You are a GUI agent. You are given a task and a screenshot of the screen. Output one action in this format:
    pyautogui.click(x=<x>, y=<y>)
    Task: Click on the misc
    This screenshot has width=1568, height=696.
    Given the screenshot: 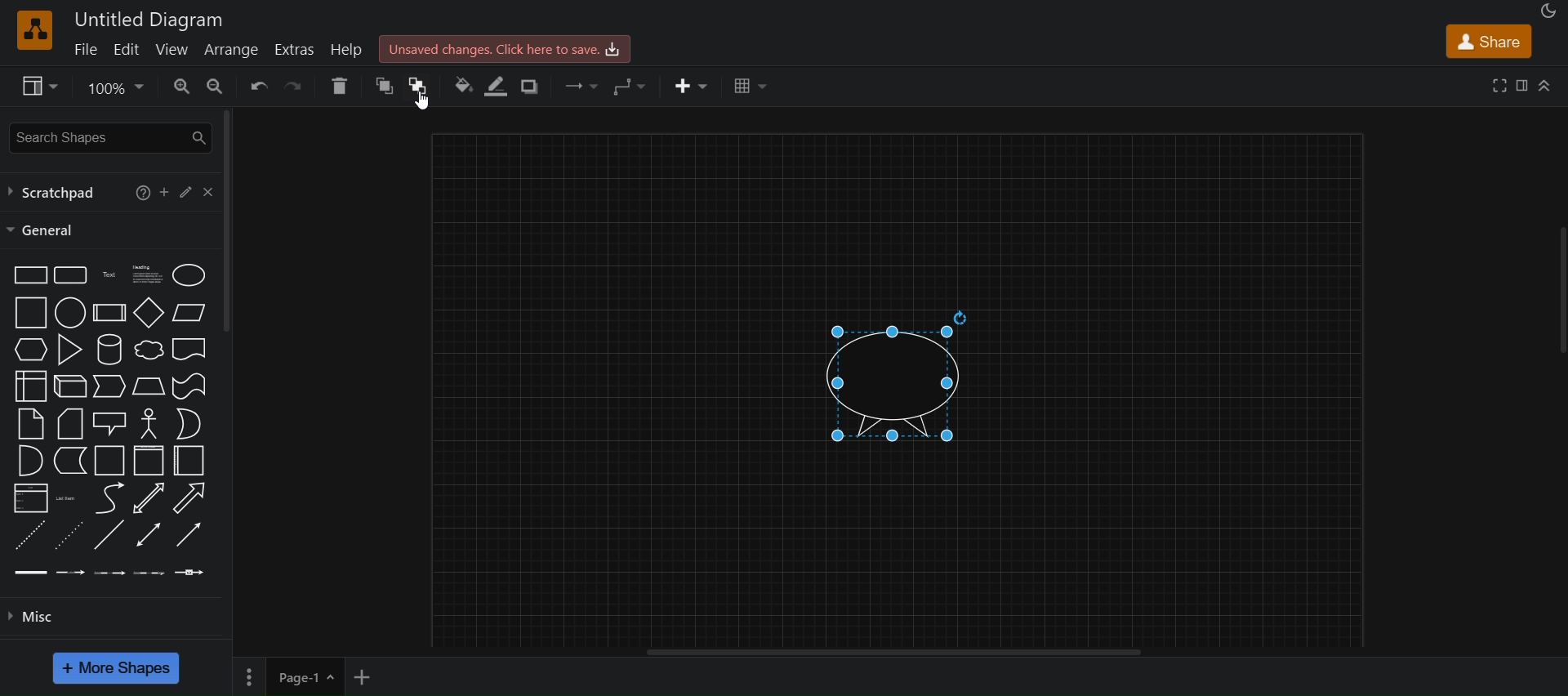 What is the action you would take?
    pyautogui.click(x=38, y=617)
    